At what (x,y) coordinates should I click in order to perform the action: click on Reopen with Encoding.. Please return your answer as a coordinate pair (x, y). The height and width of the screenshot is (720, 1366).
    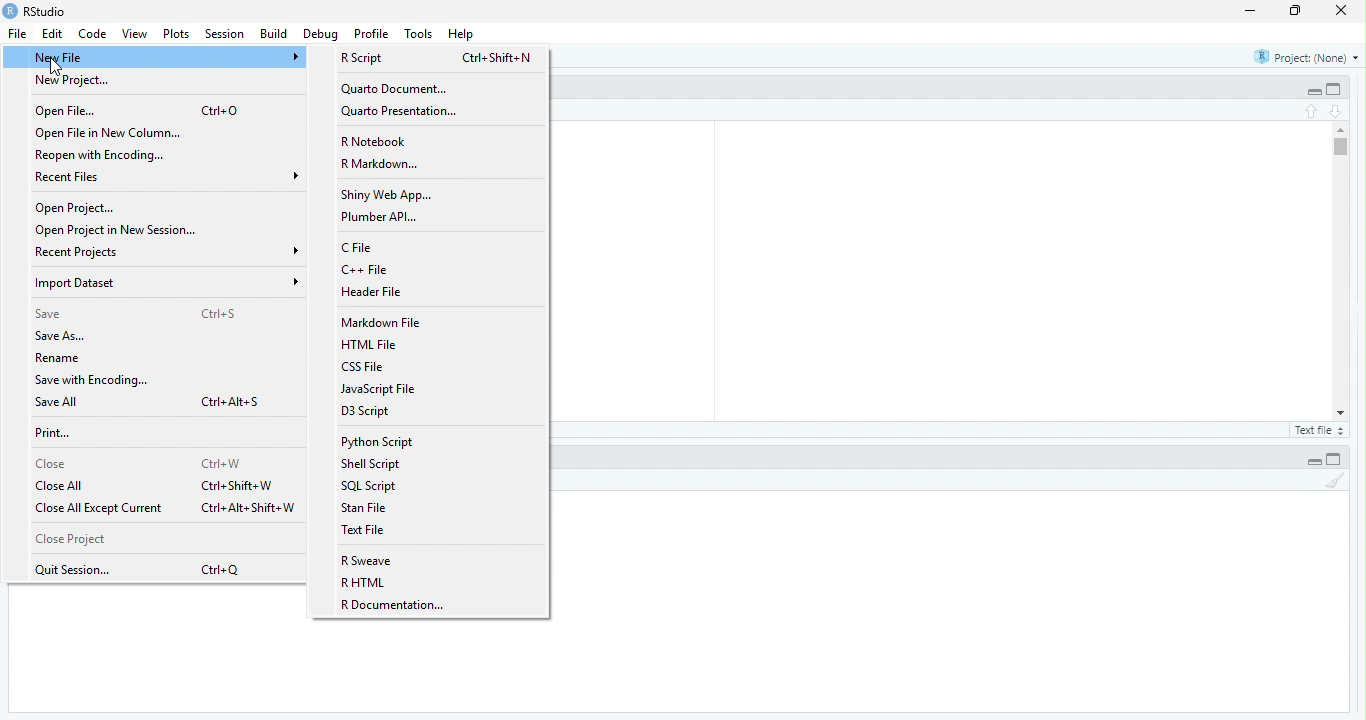
    Looking at the image, I should click on (105, 156).